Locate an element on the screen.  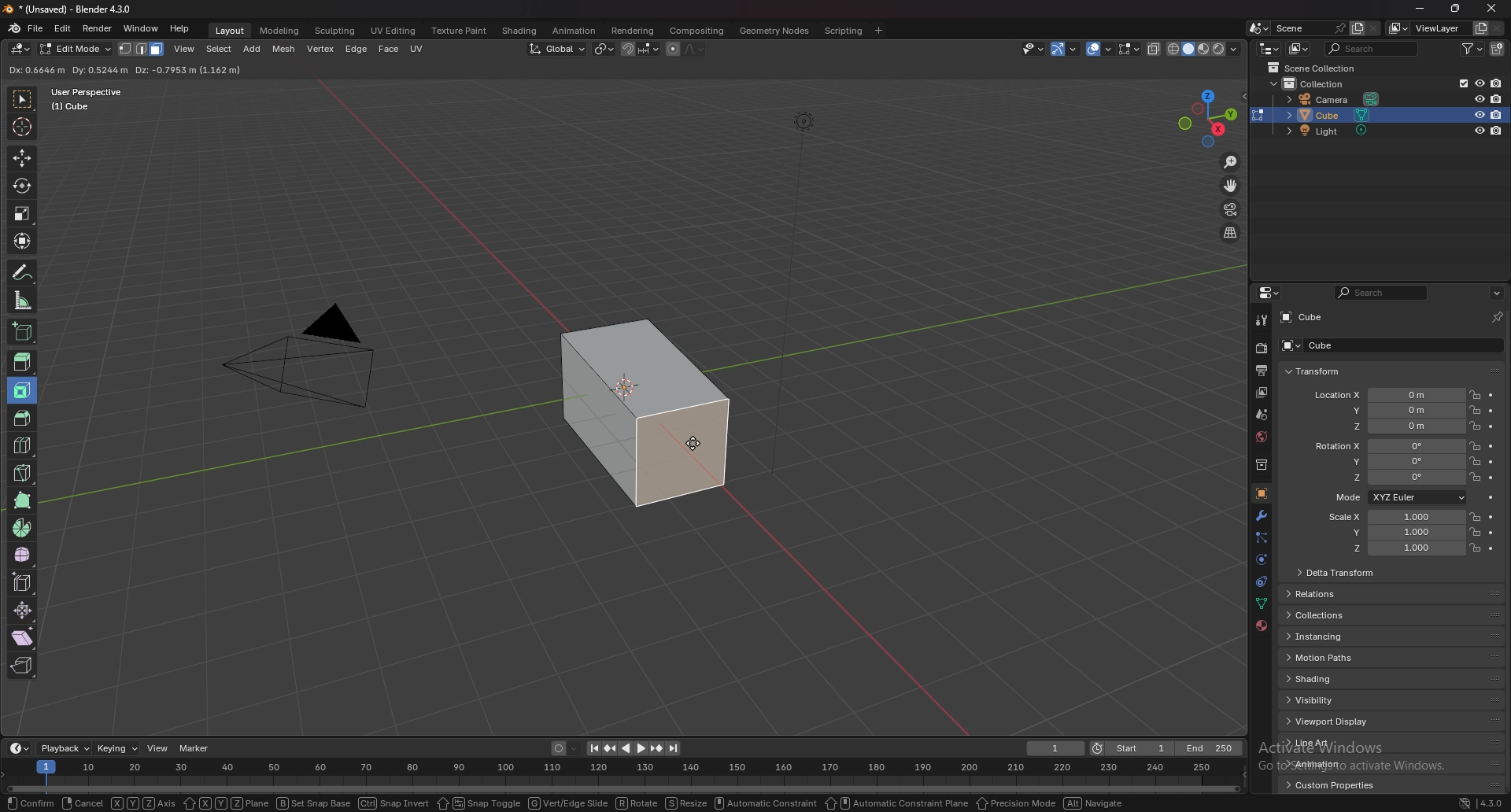
cursor is located at coordinates (694, 443).